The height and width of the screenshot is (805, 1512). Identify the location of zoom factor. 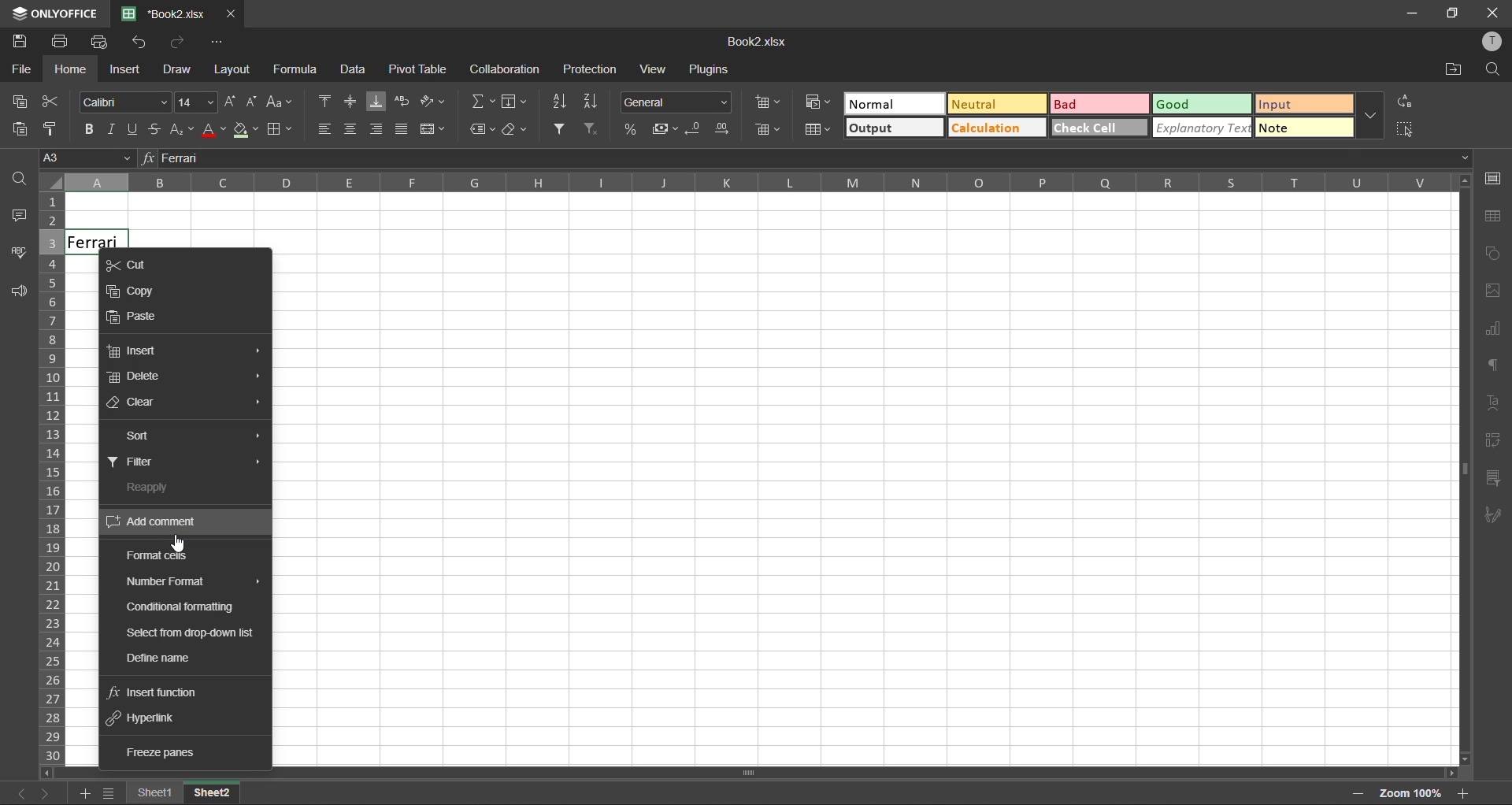
(1409, 794).